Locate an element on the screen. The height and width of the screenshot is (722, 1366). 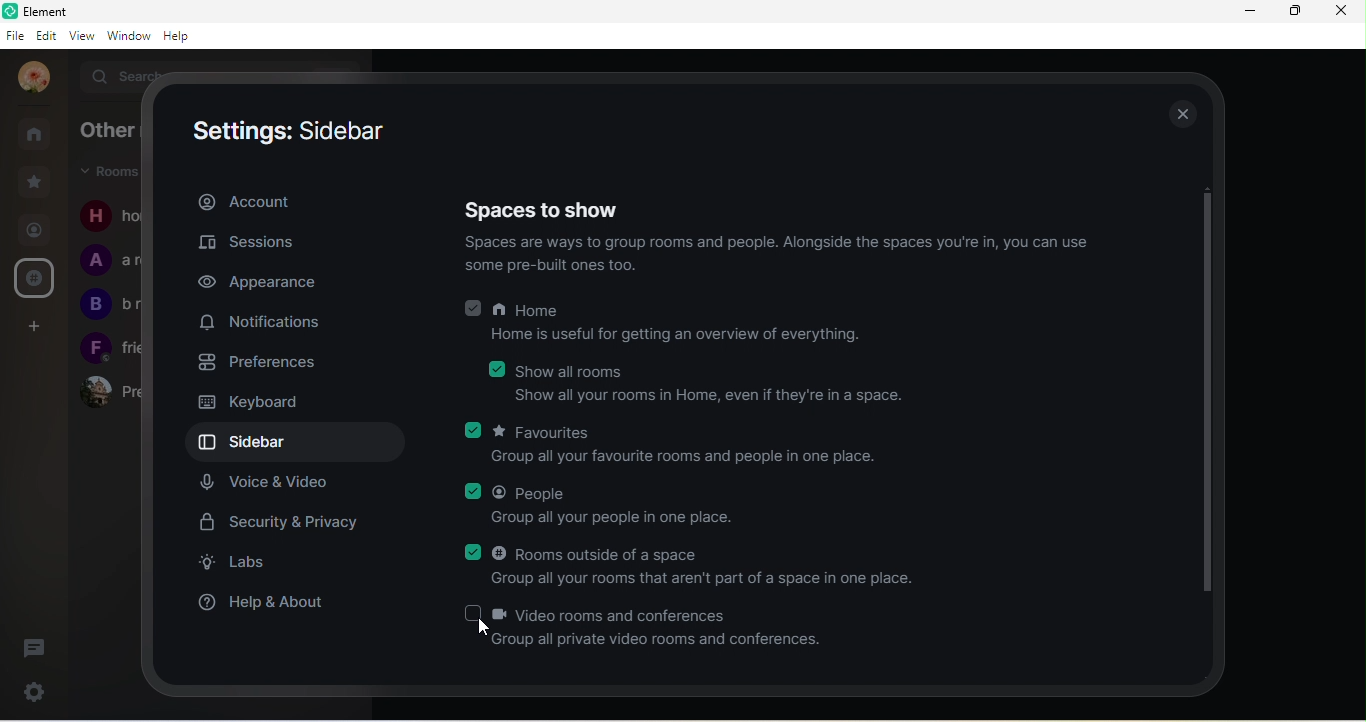
cursor movement is located at coordinates (489, 630).